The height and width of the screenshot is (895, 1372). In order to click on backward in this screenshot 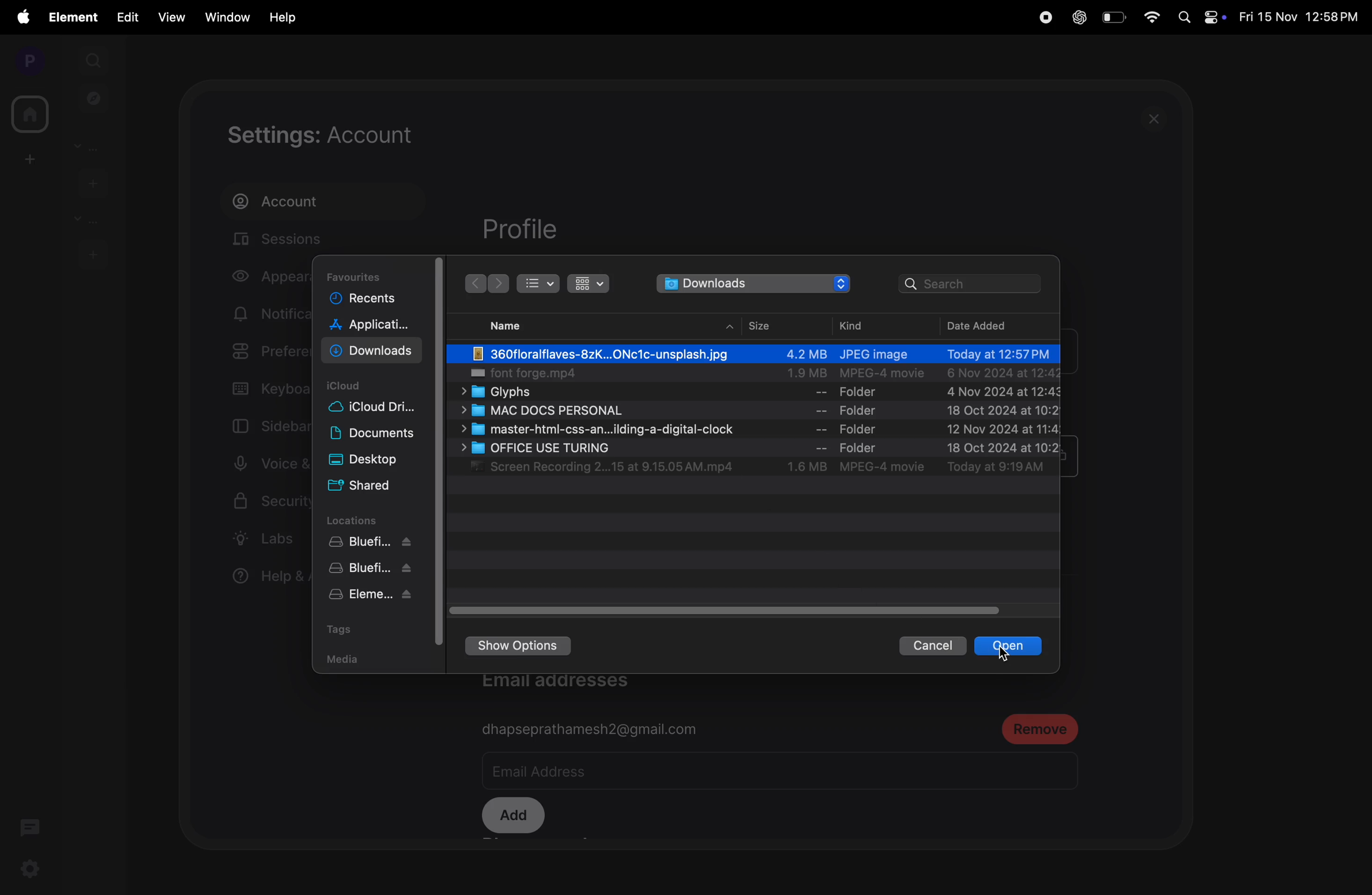, I will do `click(476, 284)`.